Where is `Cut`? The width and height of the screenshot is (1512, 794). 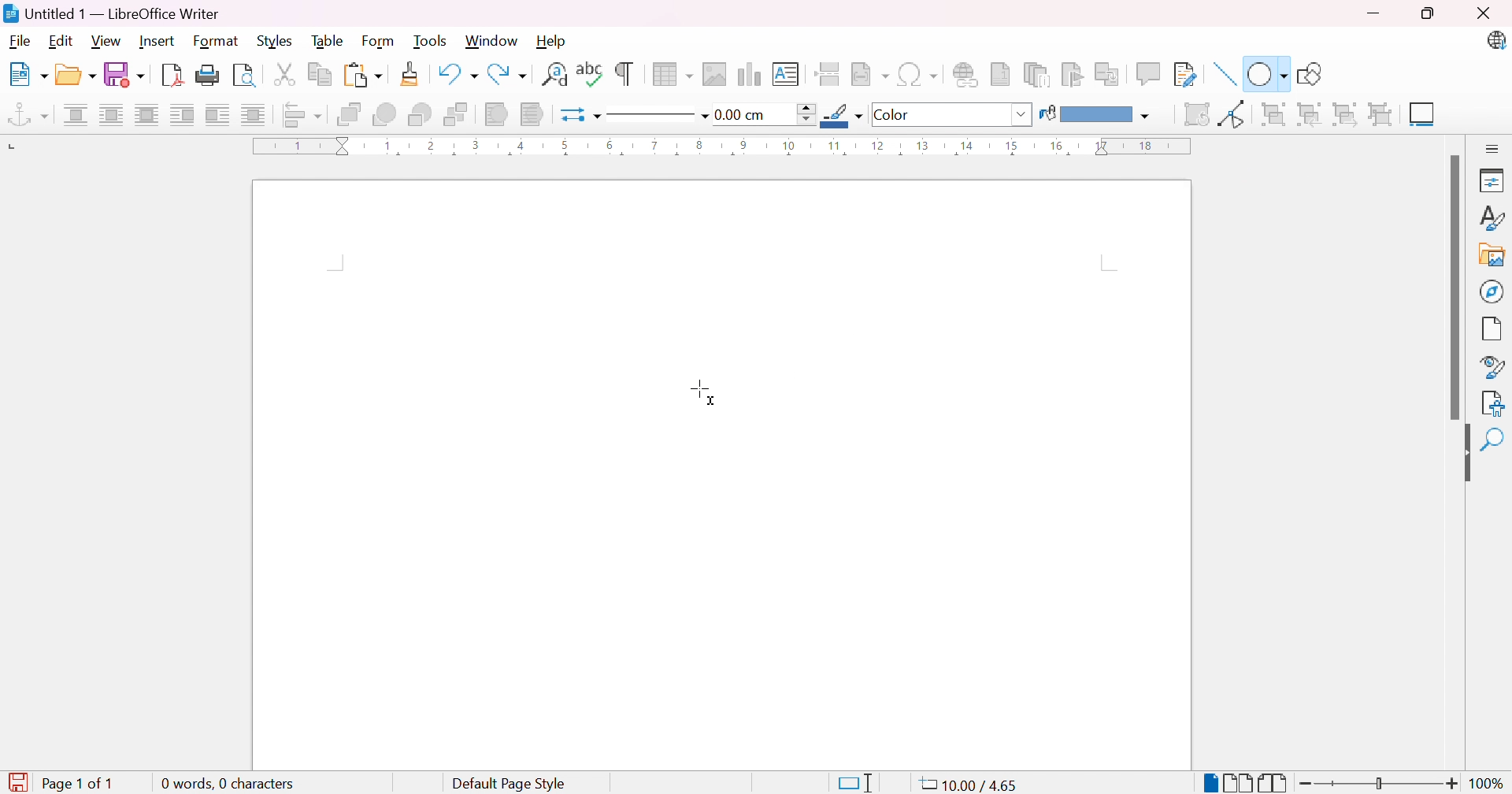
Cut is located at coordinates (284, 75).